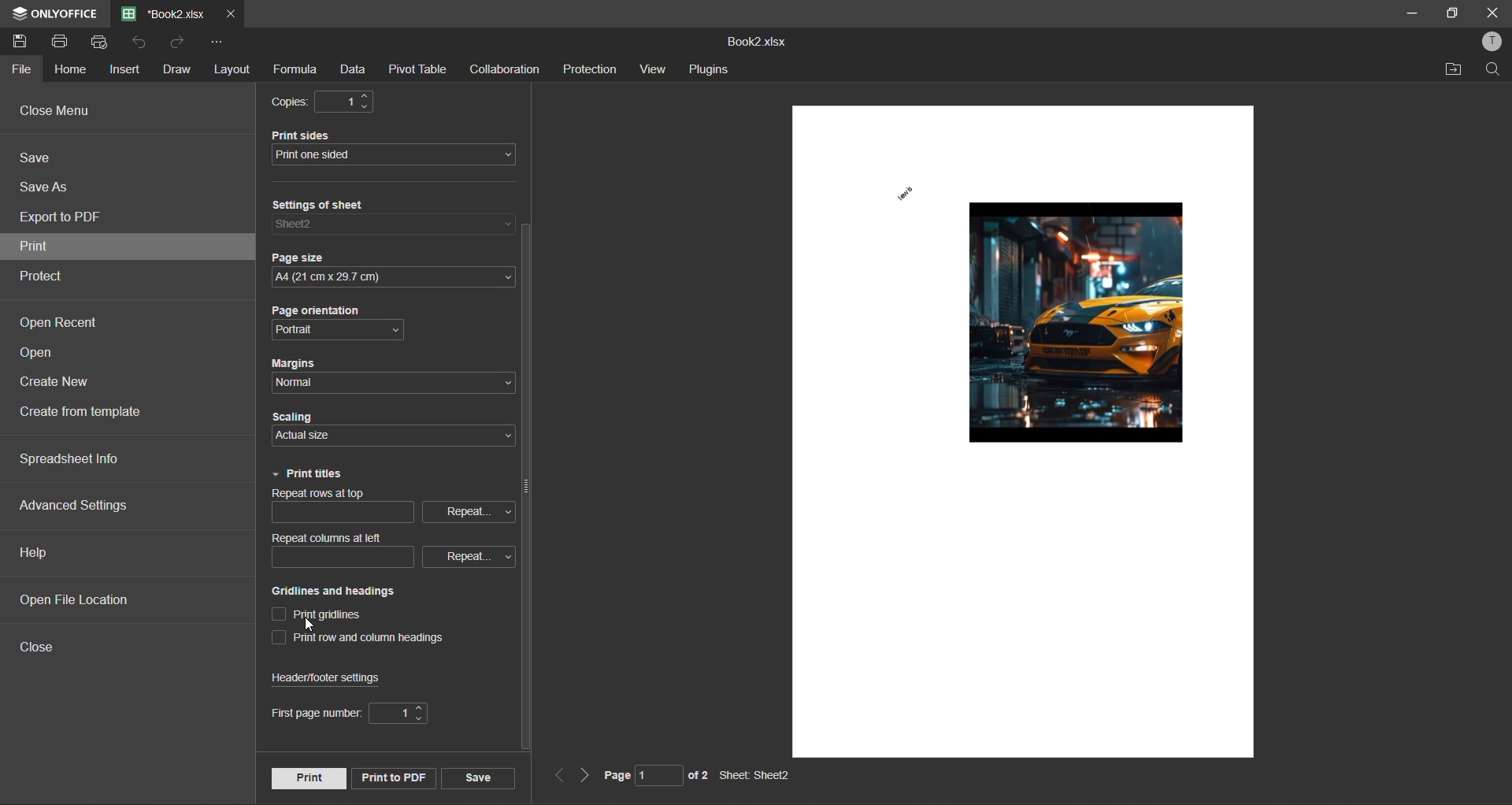 The width and height of the screenshot is (1512, 805). I want to click on print preview without gridlines, so click(1047, 338).